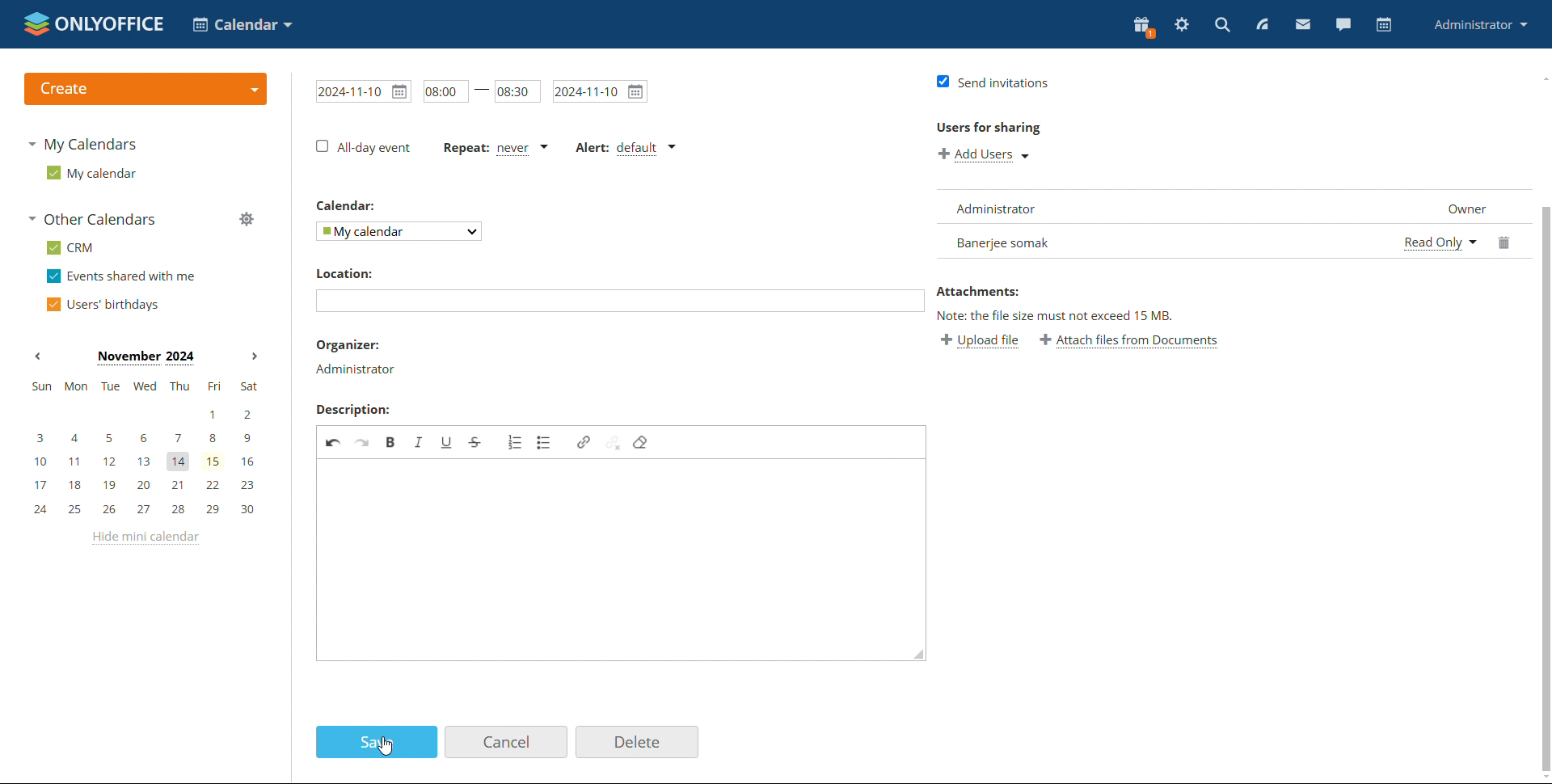 This screenshot has width=1552, height=784. What do you see at coordinates (1499, 242) in the screenshot?
I see `delete user` at bounding box center [1499, 242].